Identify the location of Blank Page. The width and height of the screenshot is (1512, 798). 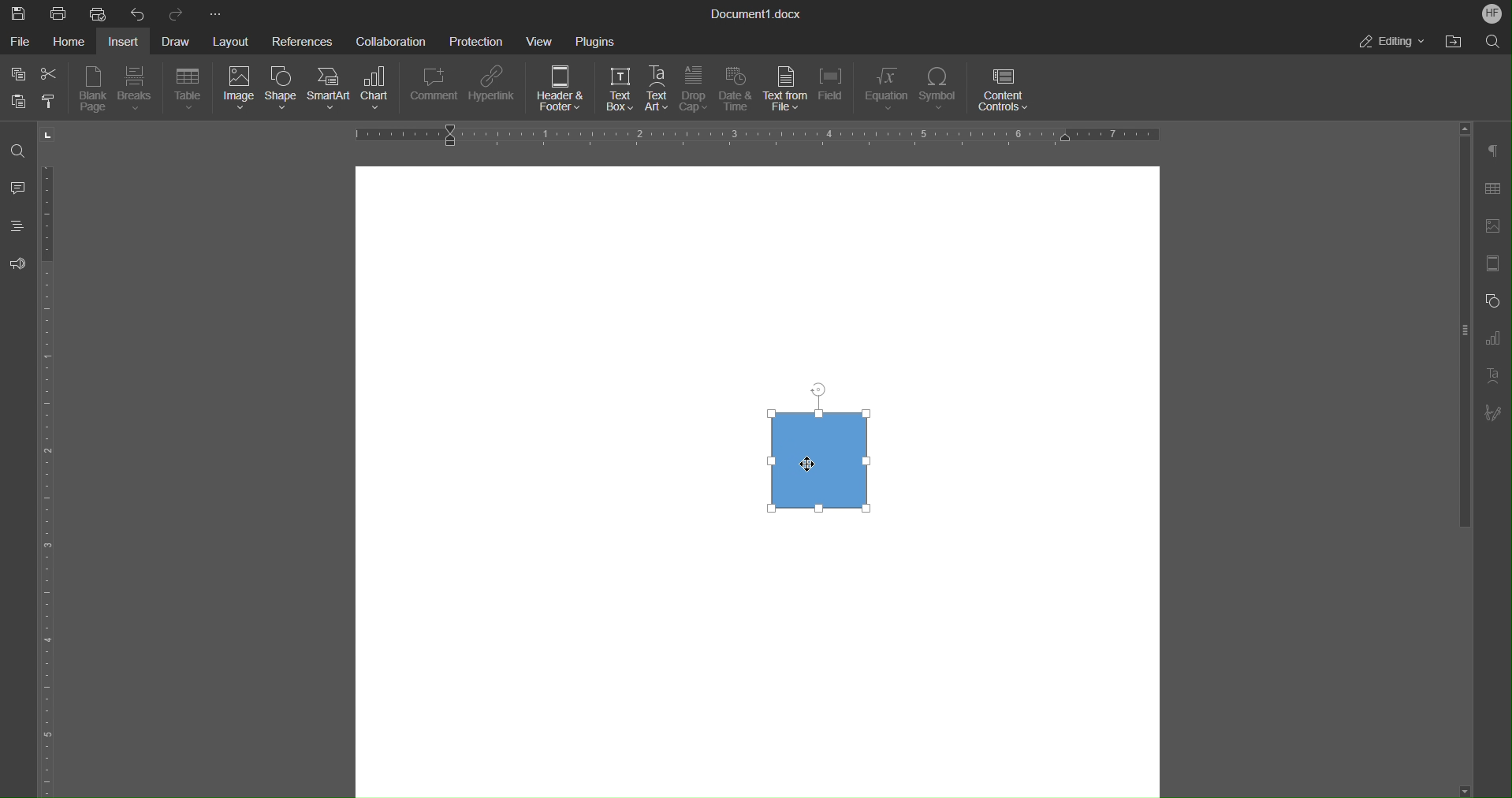
(95, 91).